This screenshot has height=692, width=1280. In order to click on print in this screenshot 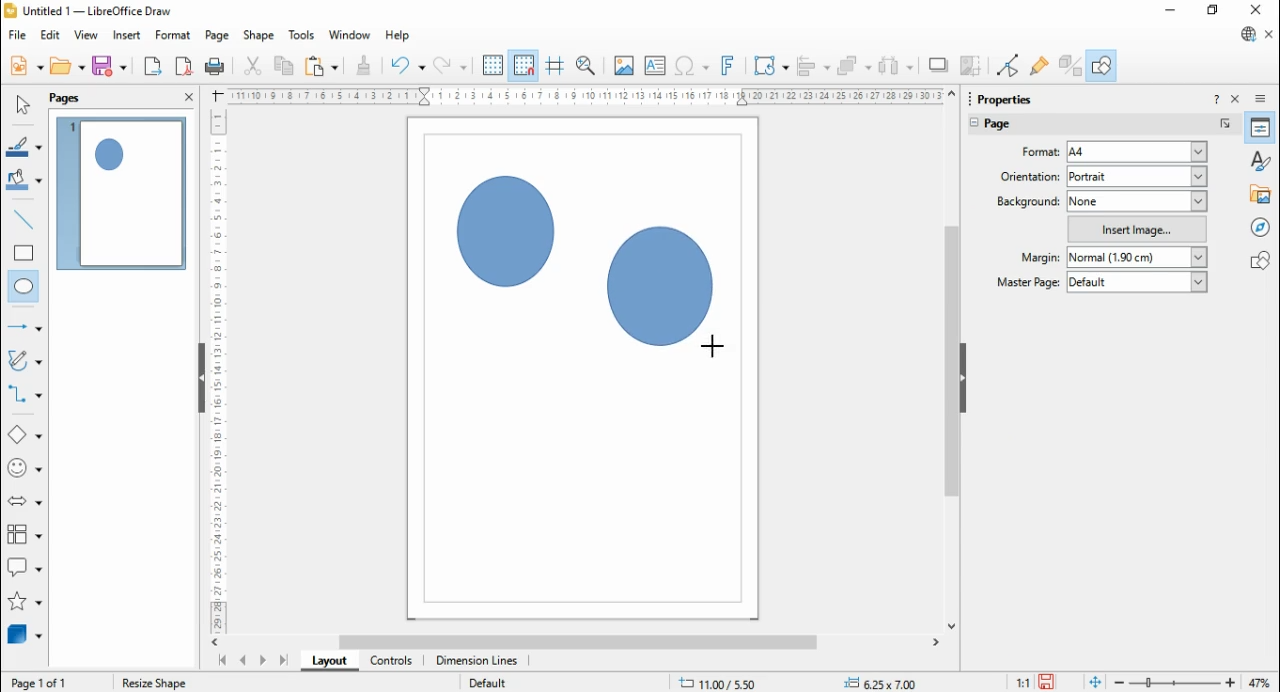, I will do `click(214, 66)`.